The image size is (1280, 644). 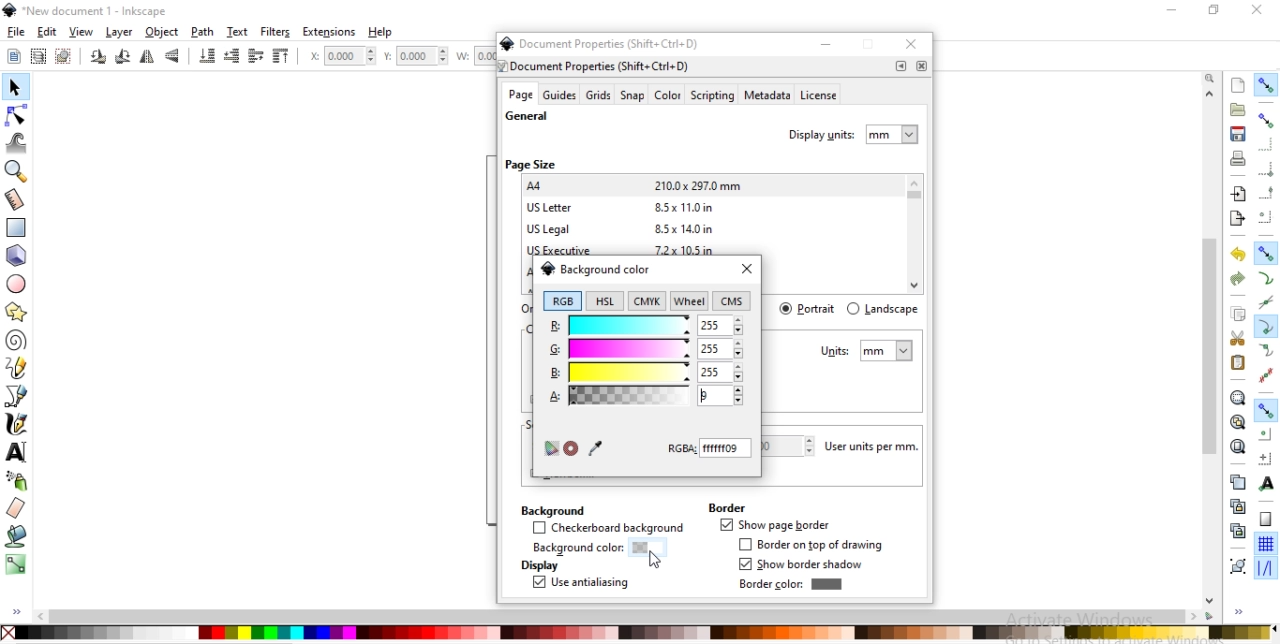 What do you see at coordinates (527, 117) in the screenshot?
I see `general` at bounding box center [527, 117].